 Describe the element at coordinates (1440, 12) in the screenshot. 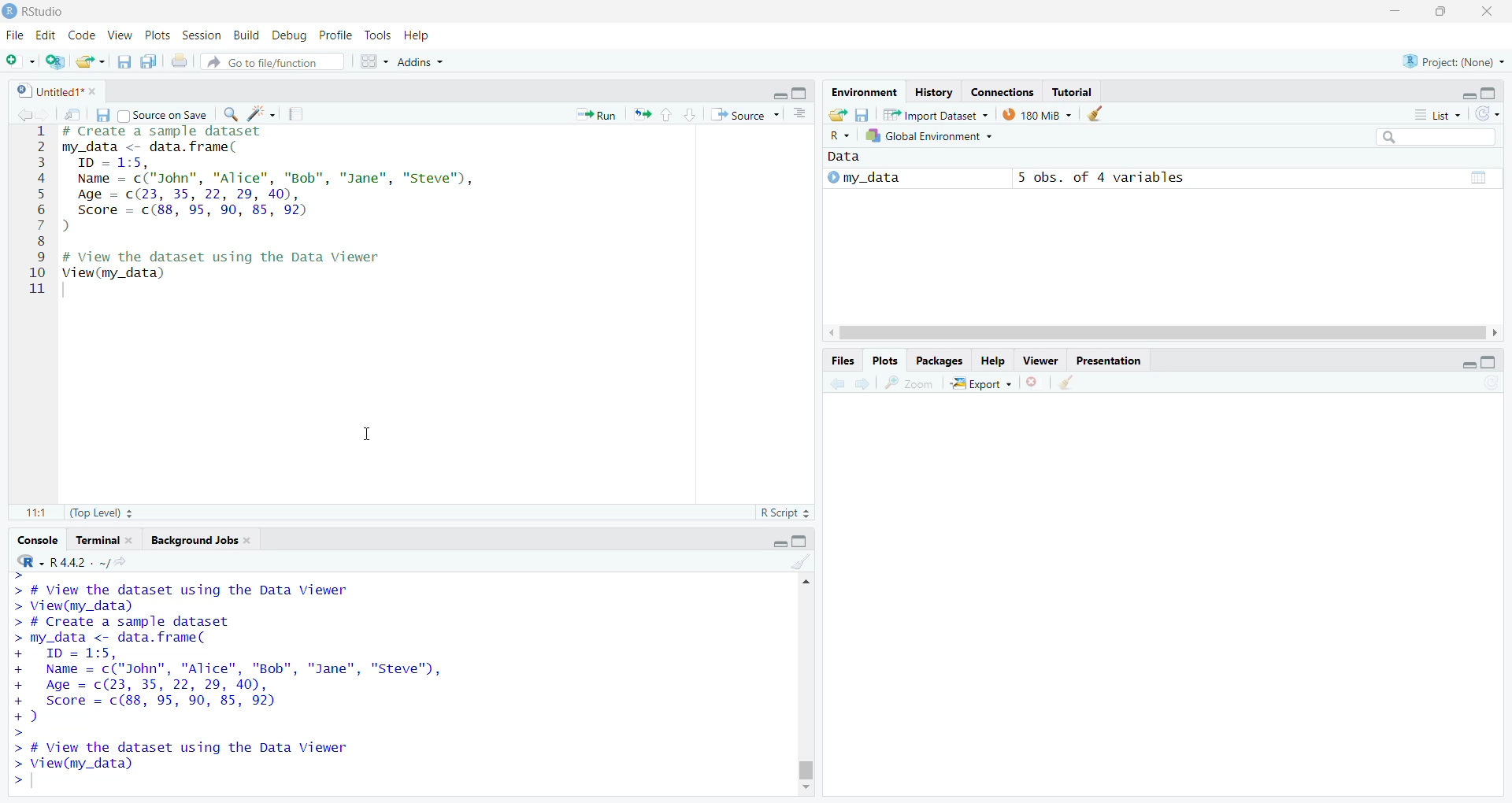

I see `Maximize` at that location.